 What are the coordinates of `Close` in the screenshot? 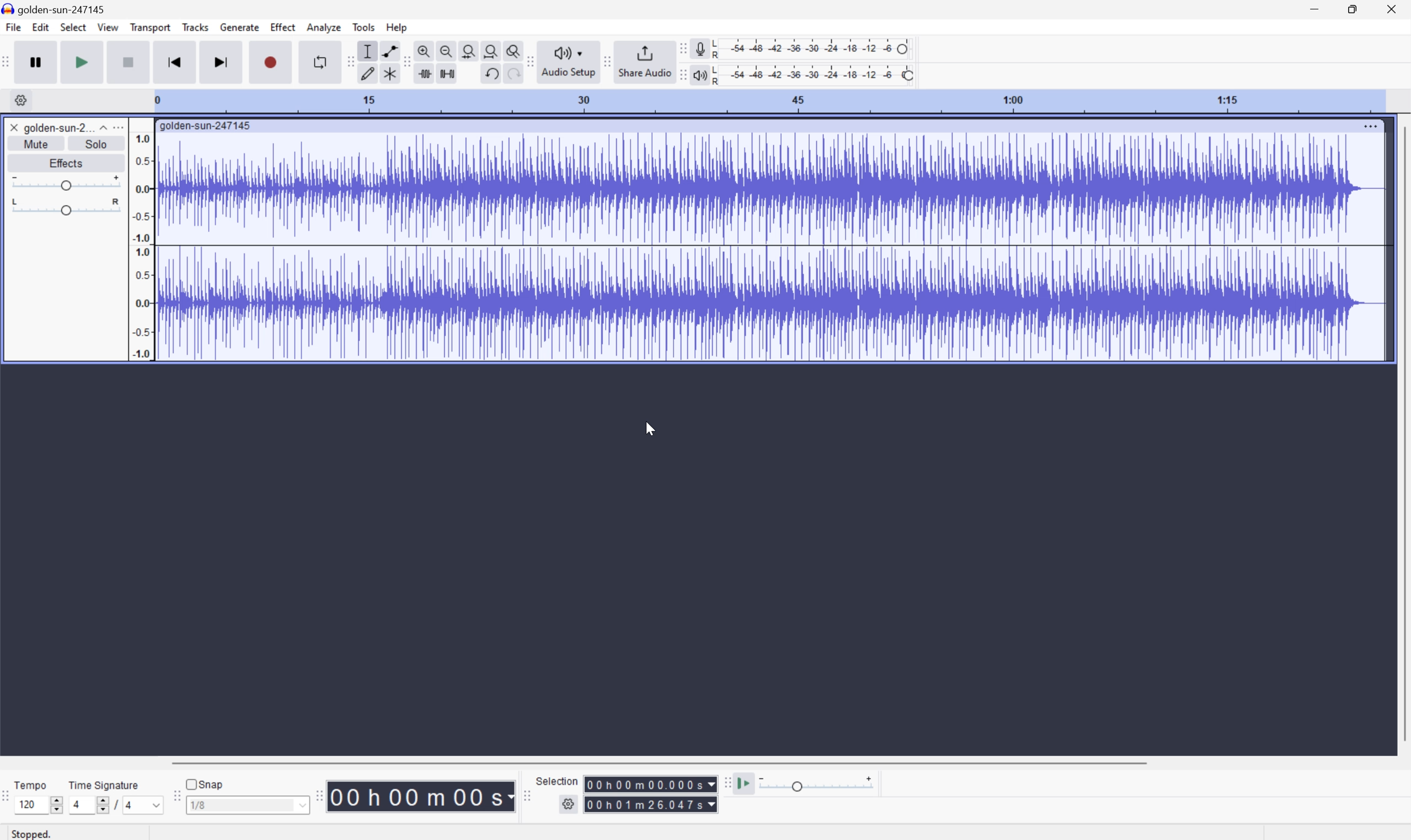 It's located at (14, 127).